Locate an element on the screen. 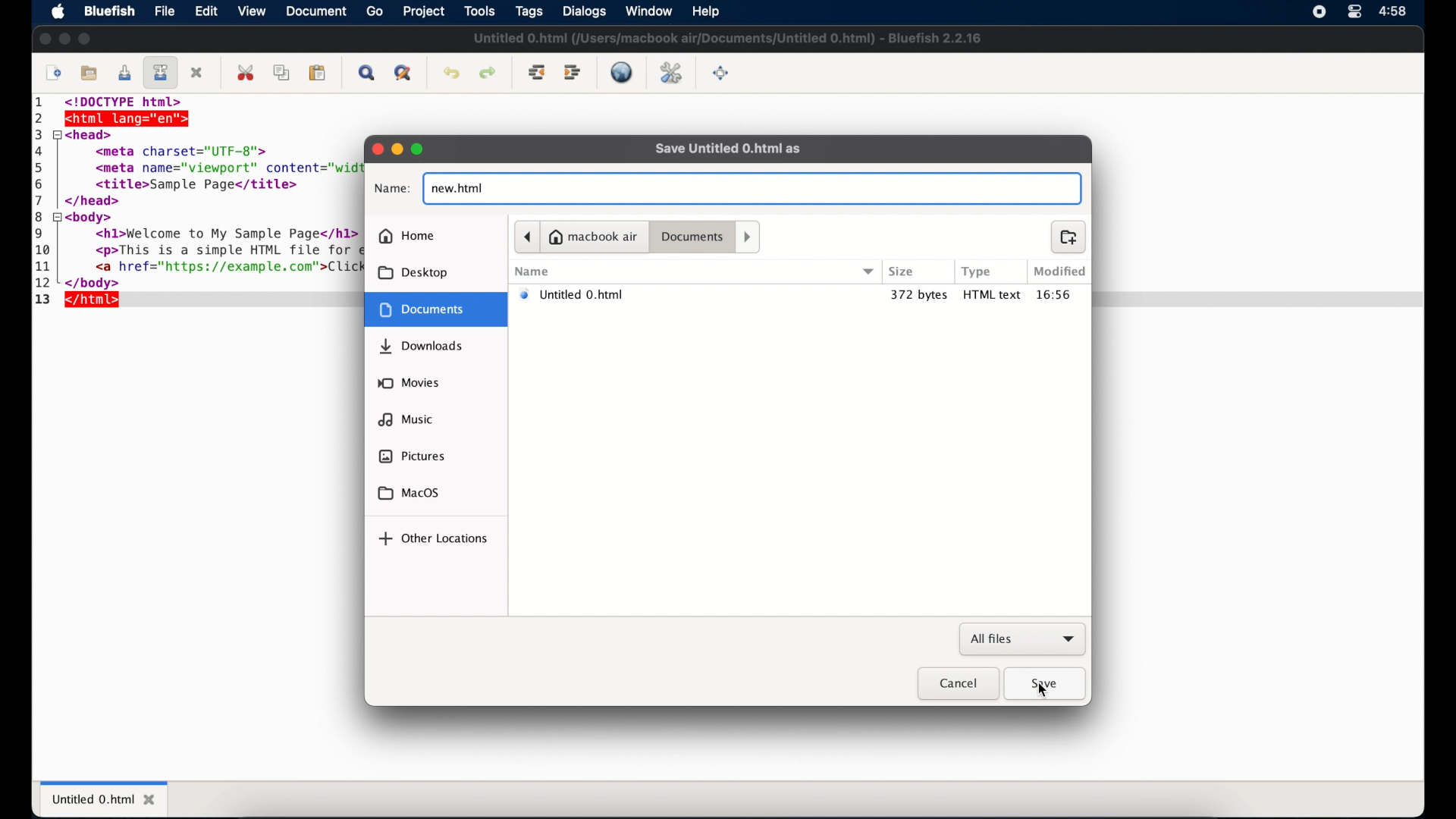  paste is located at coordinates (318, 73).